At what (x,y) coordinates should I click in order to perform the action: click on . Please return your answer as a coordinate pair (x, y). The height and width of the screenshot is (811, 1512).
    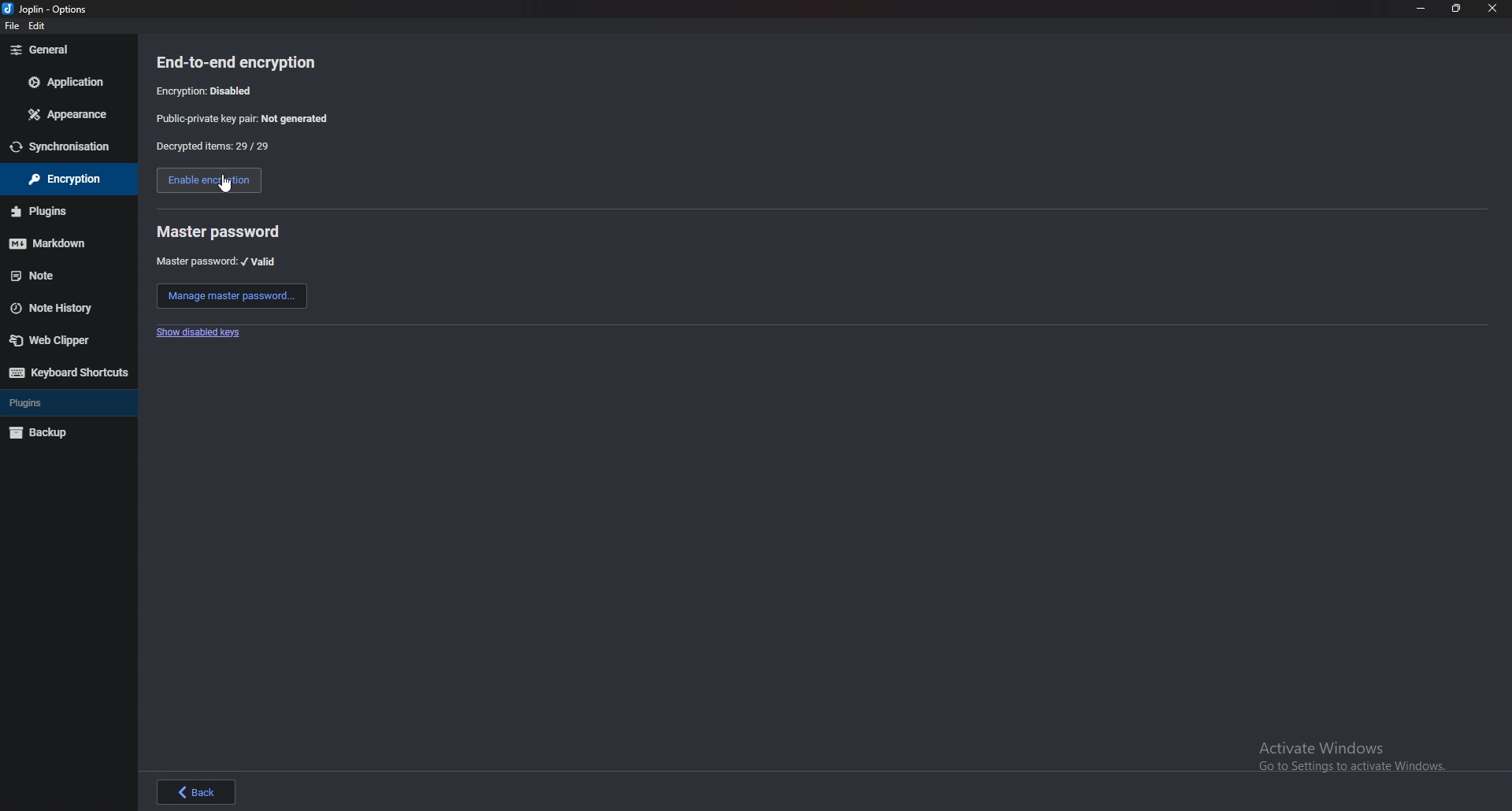
    Looking at the image, I should click on (10, 26).